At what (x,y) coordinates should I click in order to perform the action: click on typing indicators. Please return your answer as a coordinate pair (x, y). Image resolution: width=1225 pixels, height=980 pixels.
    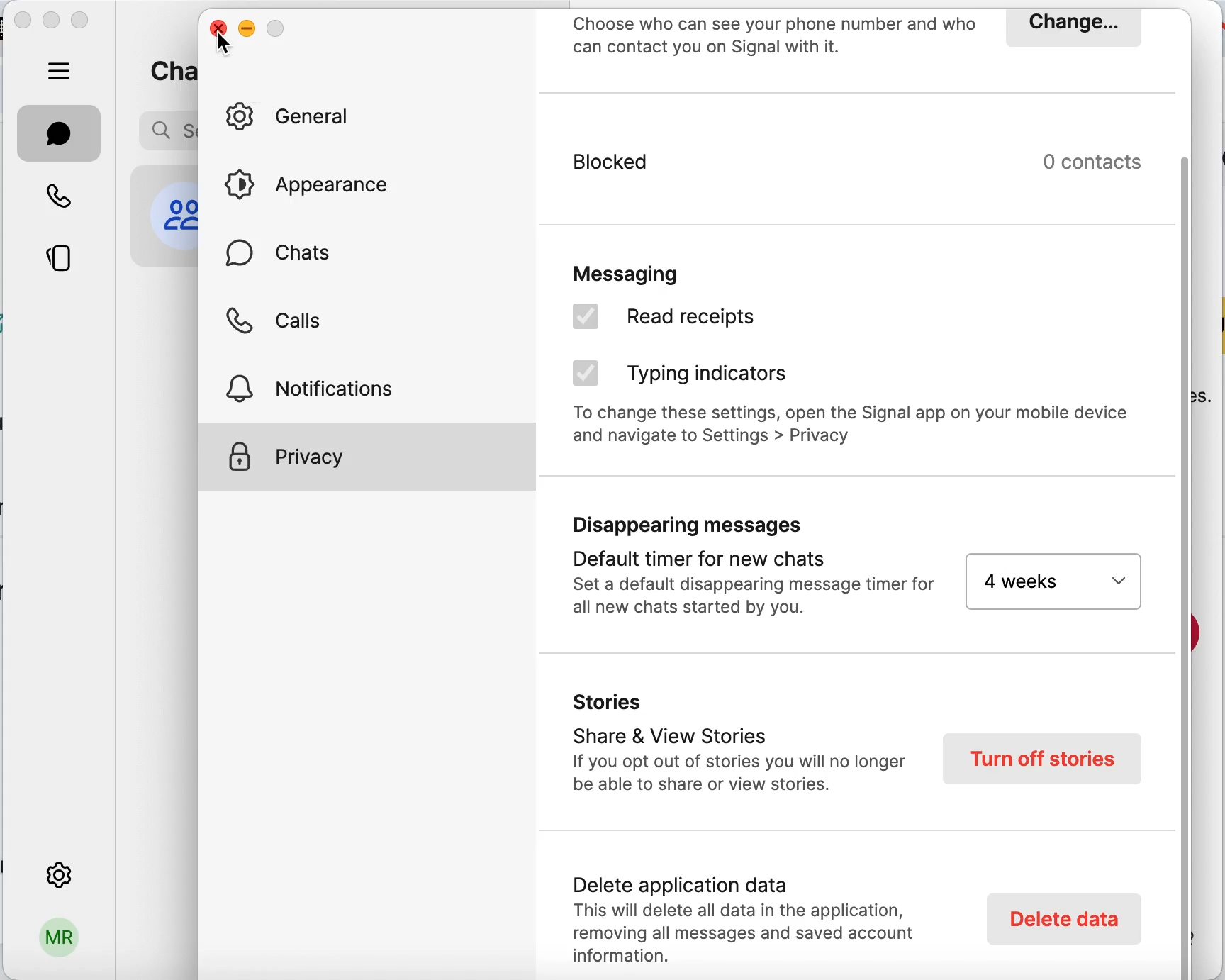
    Looking at the image, I should click on (708, 373).